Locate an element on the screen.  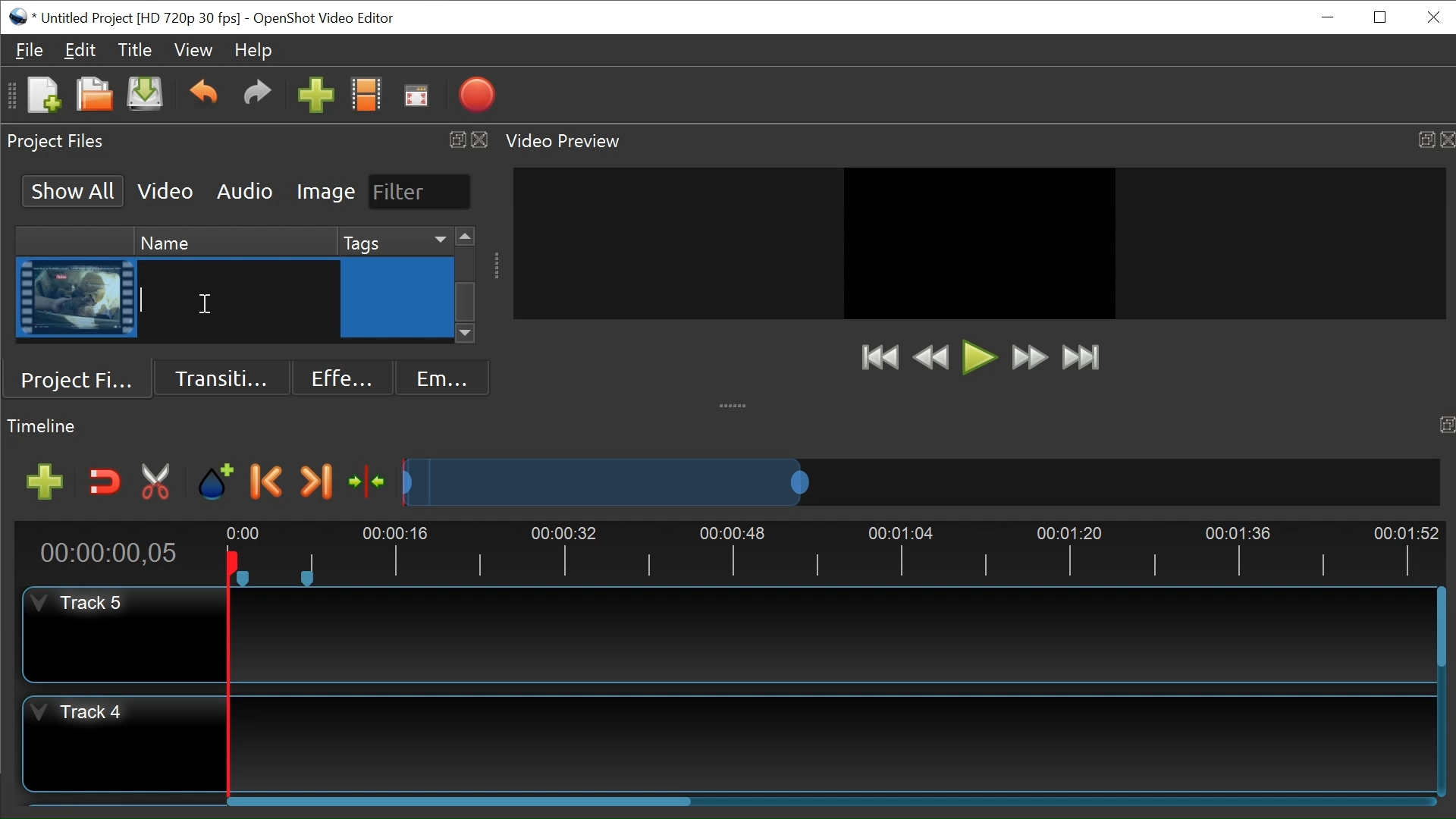
Project Files is located at coordinates (248, 140).